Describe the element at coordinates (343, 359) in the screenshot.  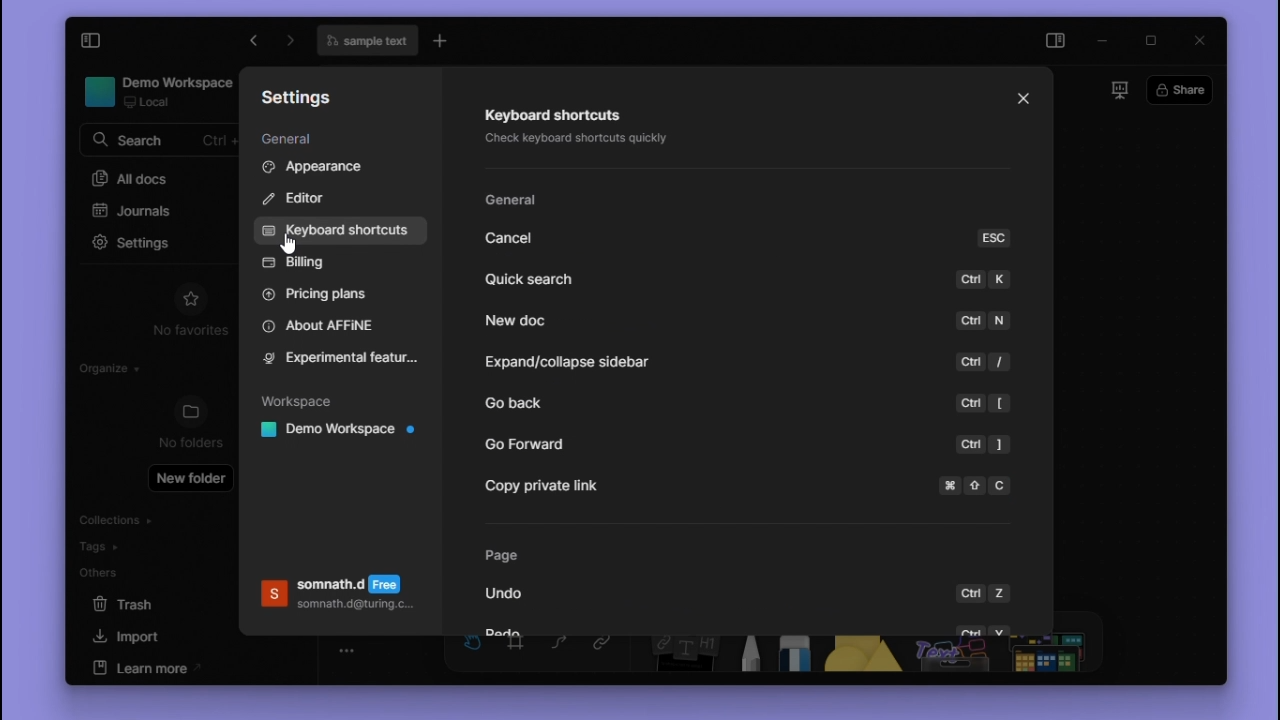
I see `Experimental features` at that location.